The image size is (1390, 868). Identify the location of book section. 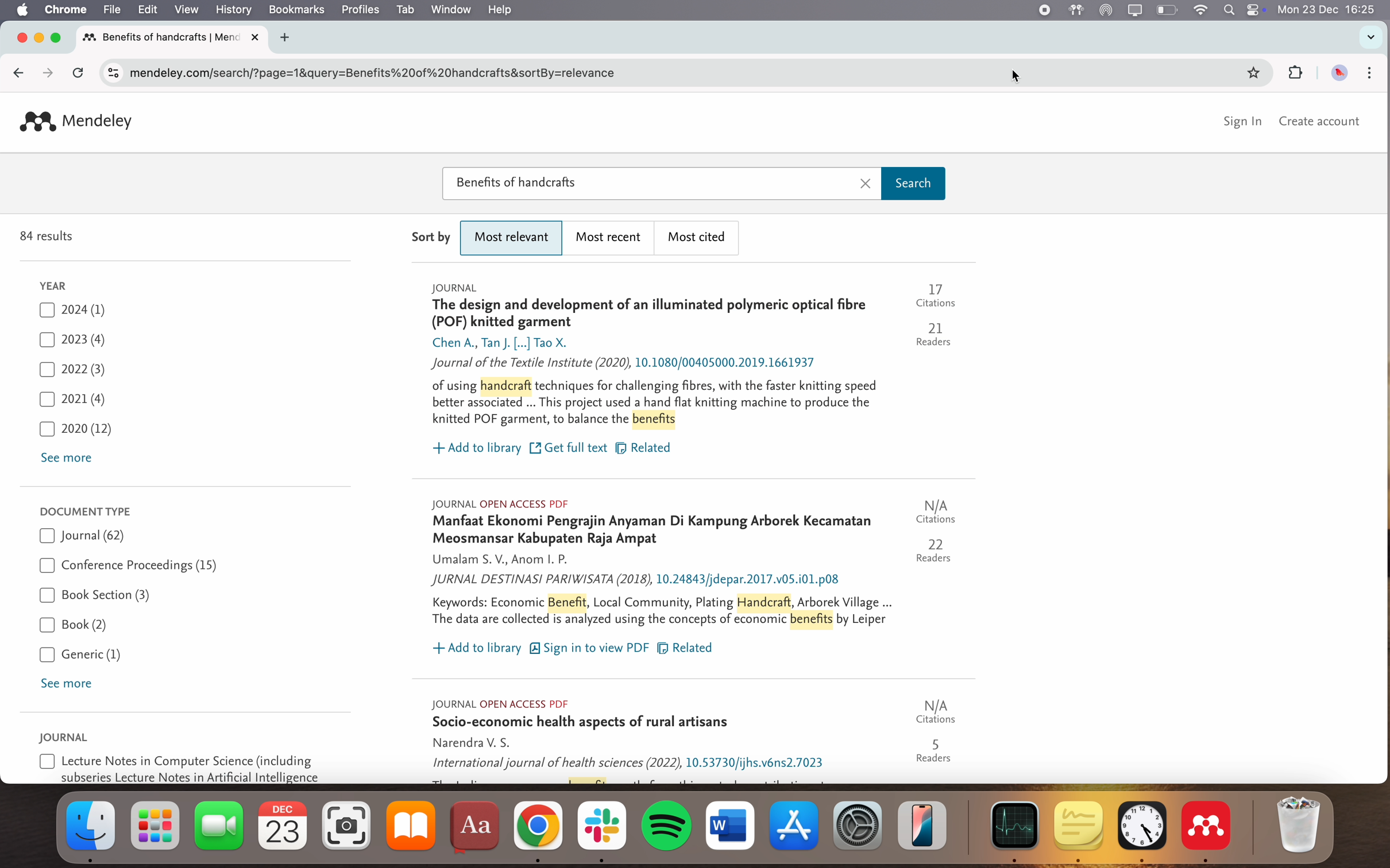
(94, 596).